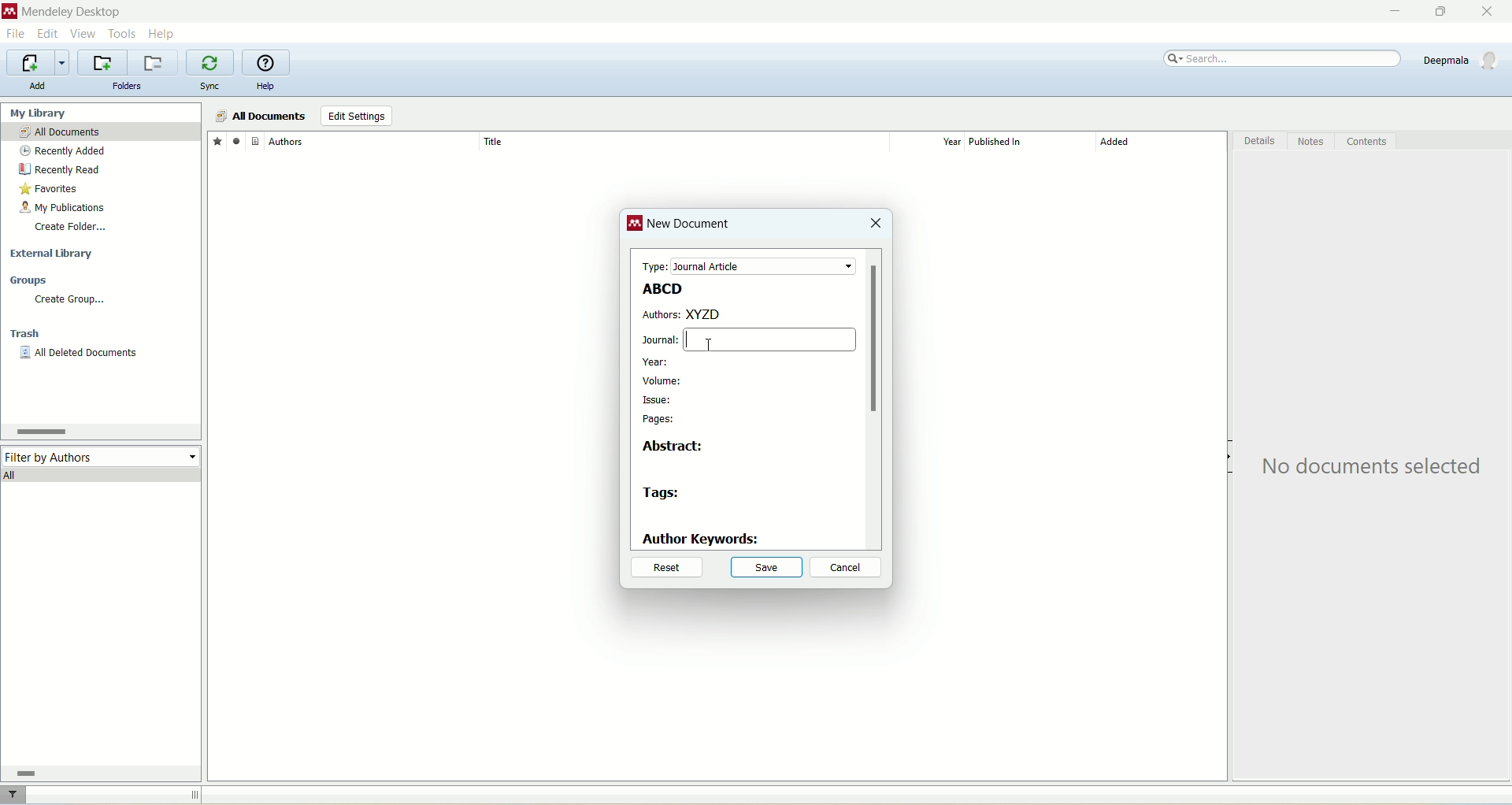 The image size is (1512, 805). Describe the element at coordinates (636, 225) in the screenshot. I see `logo` at that location.